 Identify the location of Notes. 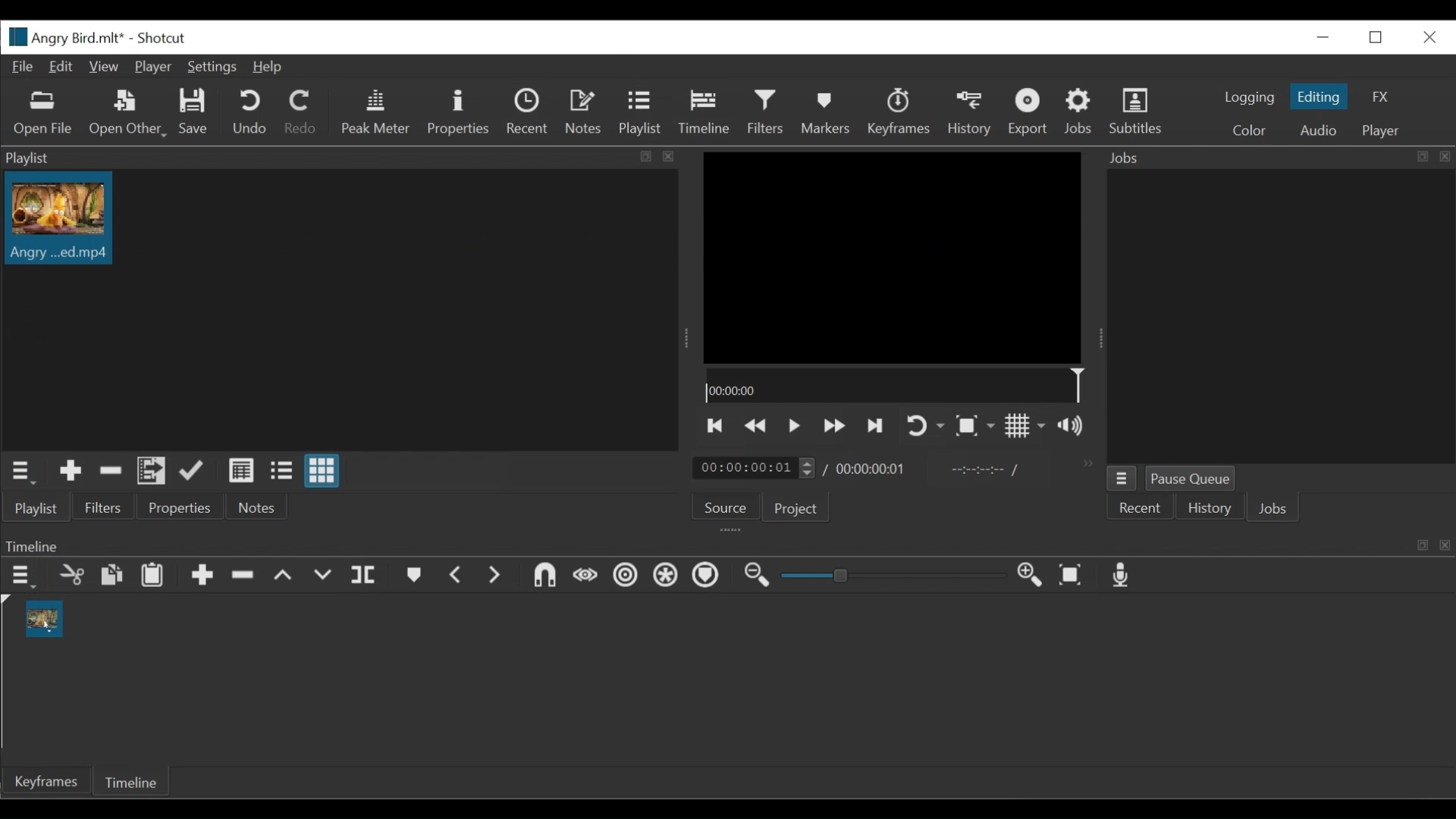
(582, 113).